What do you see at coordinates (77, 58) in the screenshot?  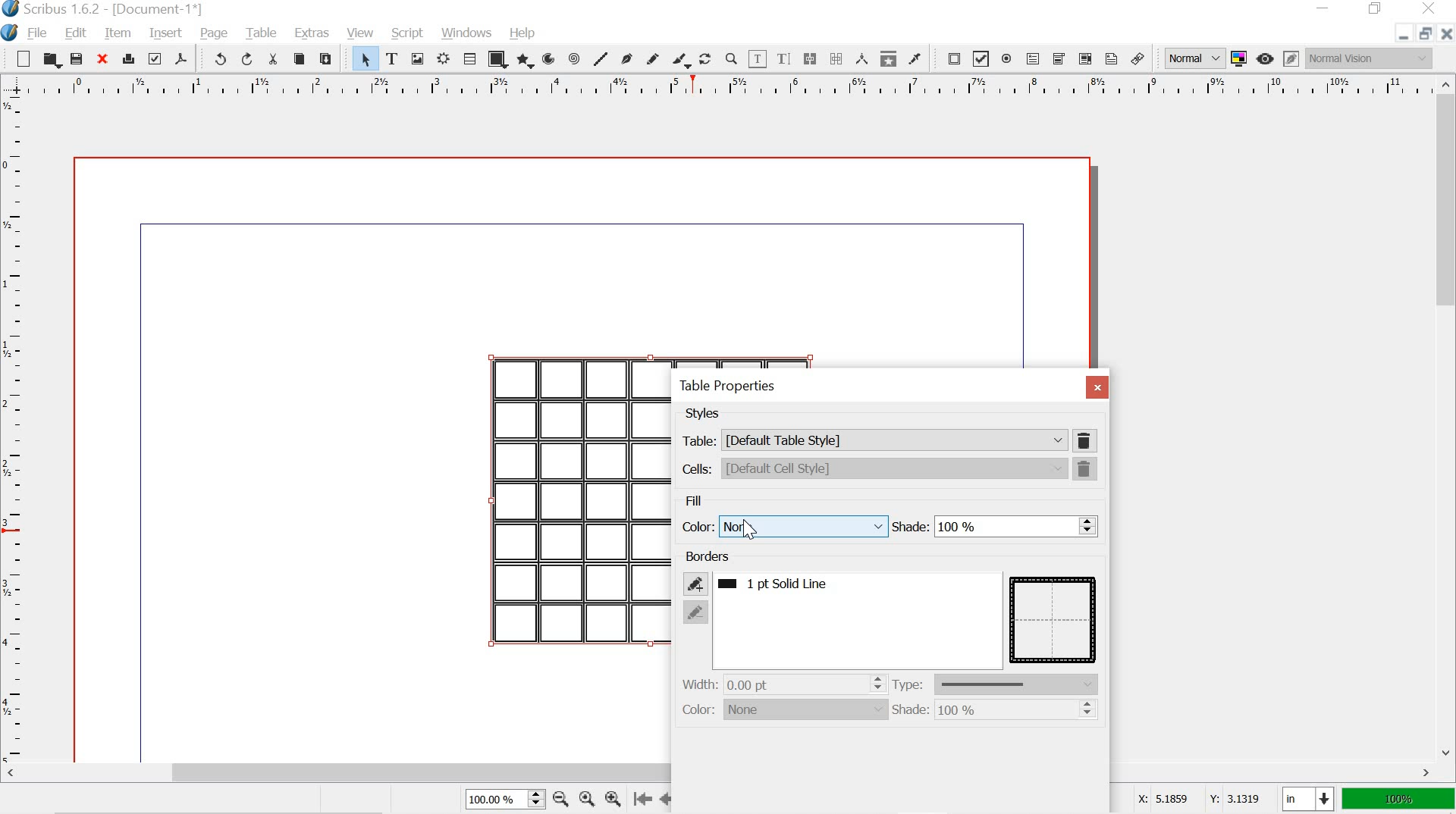 I see `save` at bounding box center [77, 58].